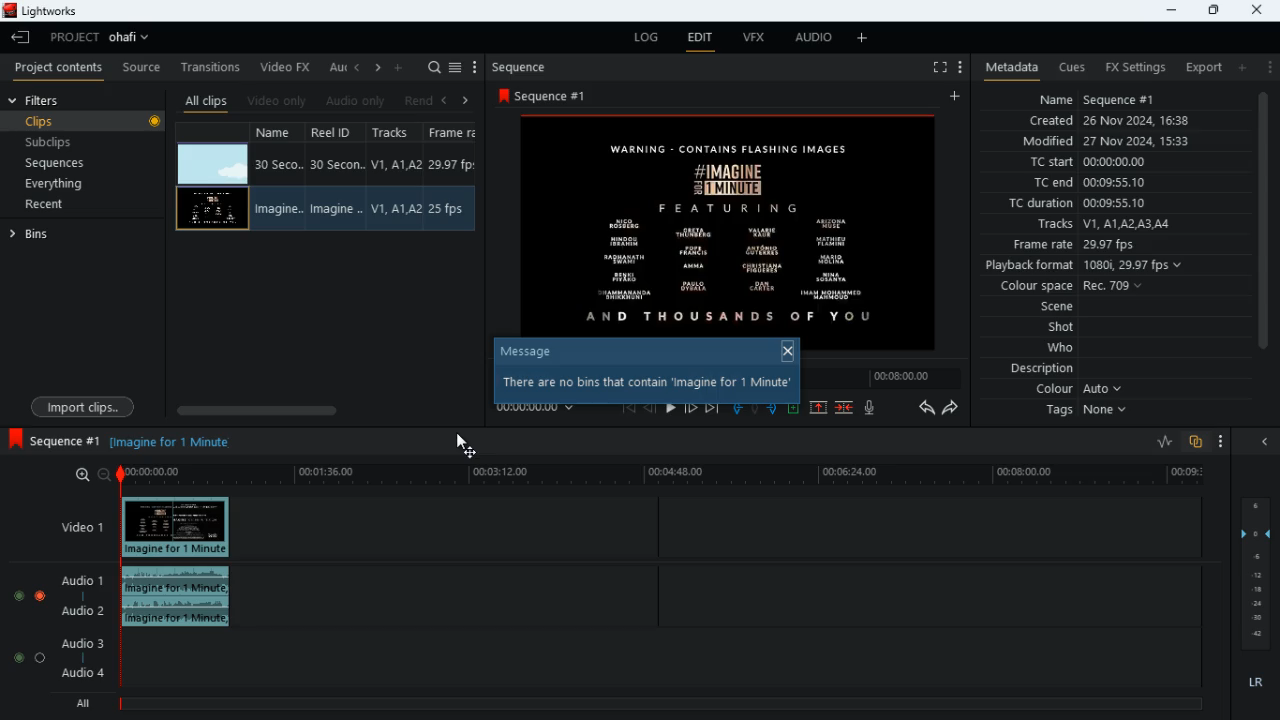  Describe the element at coordinates (85, 584) in the screenshot. I see `audio 1` at that location.